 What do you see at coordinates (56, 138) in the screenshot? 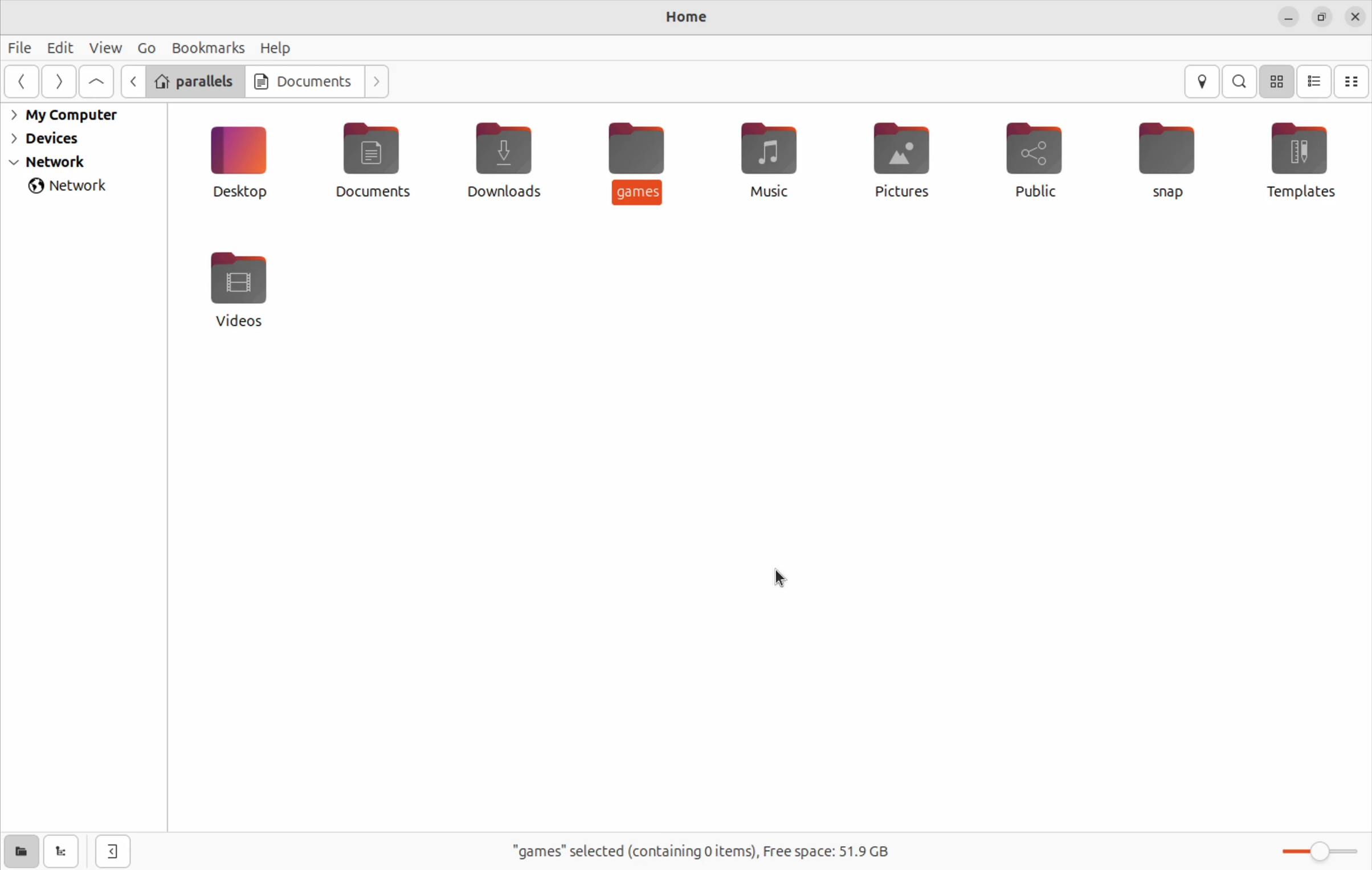
I see `Devices` at bounding box center [56, 138].